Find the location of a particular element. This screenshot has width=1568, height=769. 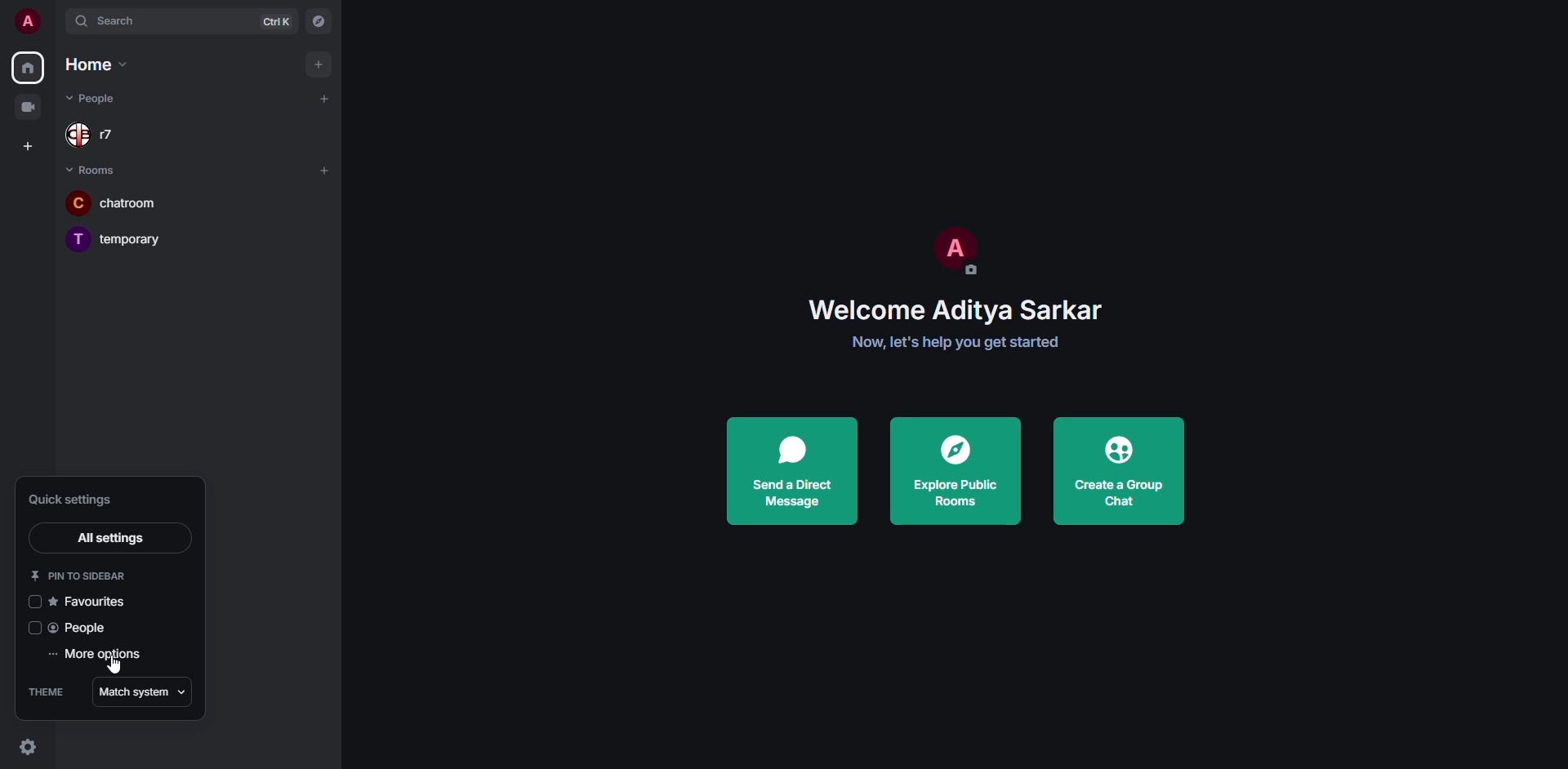

all settings is located at coordinates (109, 538).